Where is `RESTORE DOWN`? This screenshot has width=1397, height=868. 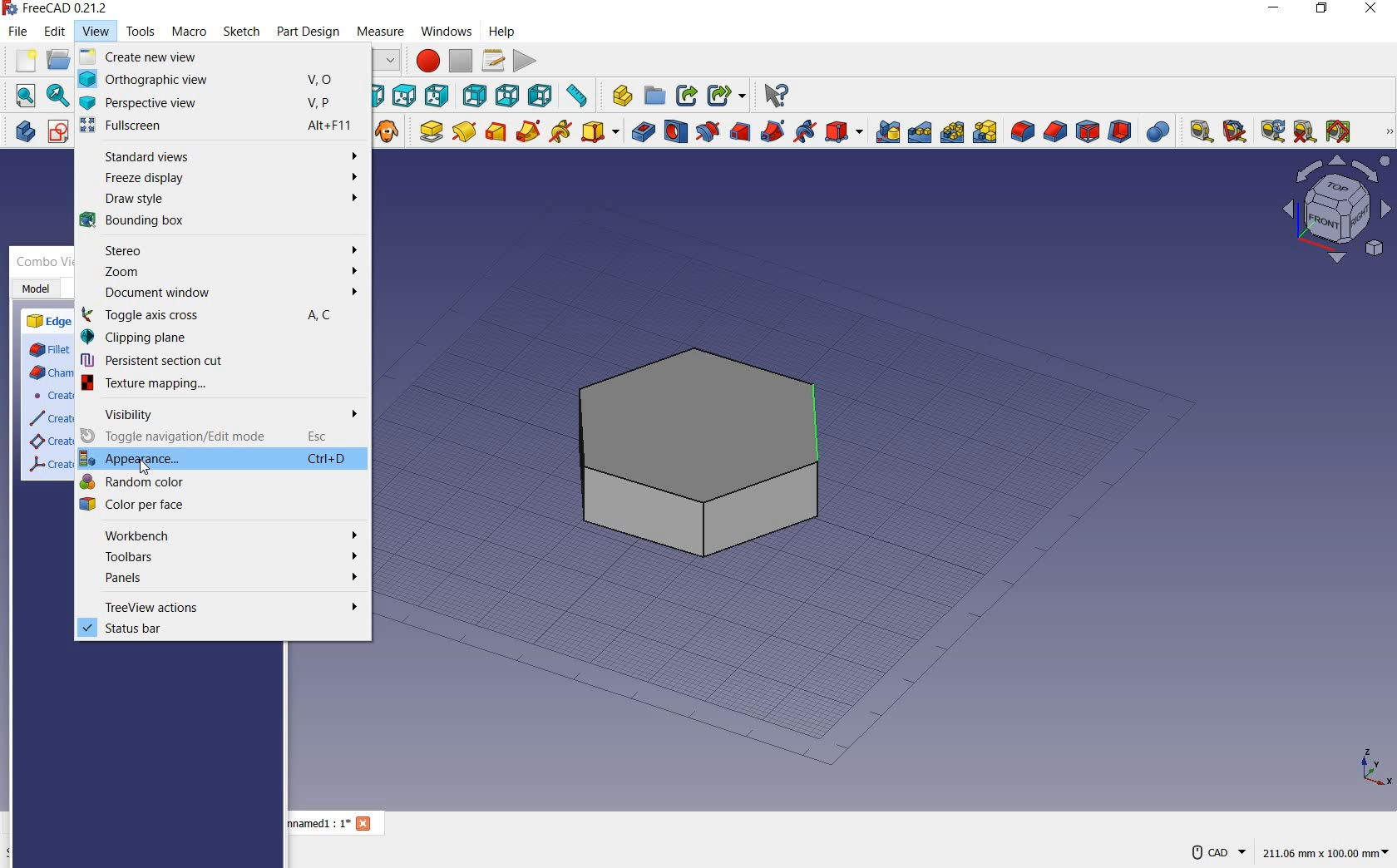 RESTORE DOWN is located at coordinates (1323, 11).